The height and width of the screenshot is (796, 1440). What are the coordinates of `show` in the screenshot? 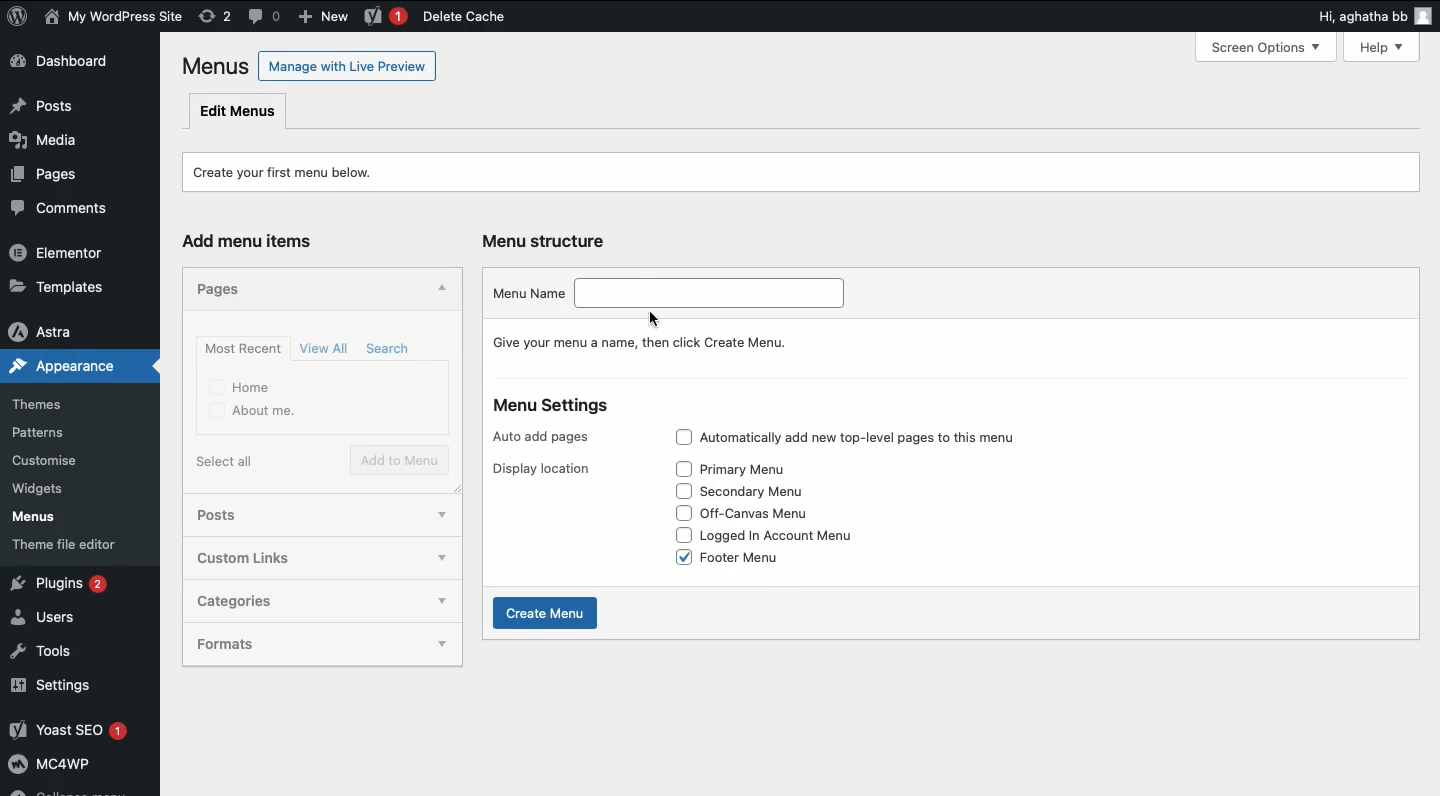 It's located at (434, 603).